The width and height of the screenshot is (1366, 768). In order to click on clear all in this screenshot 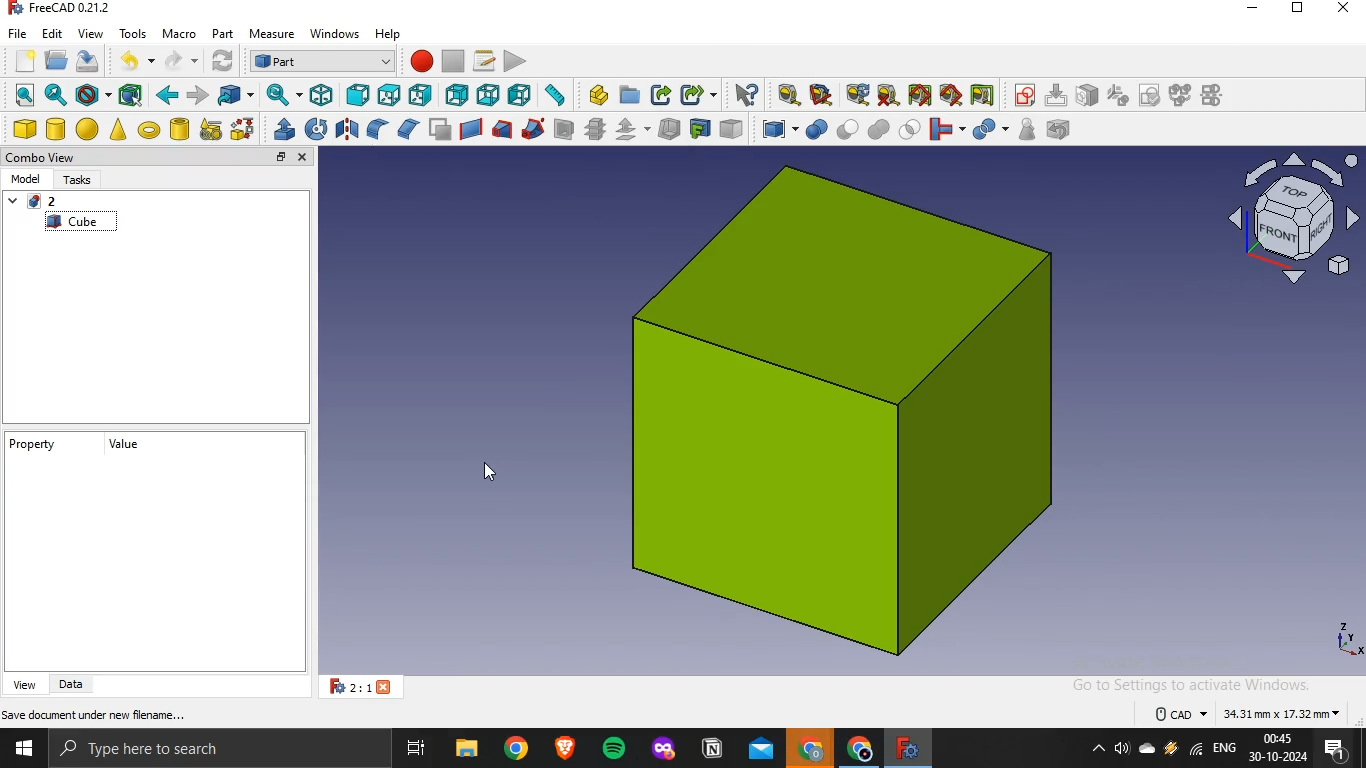, I will do `click(889, 95)`.